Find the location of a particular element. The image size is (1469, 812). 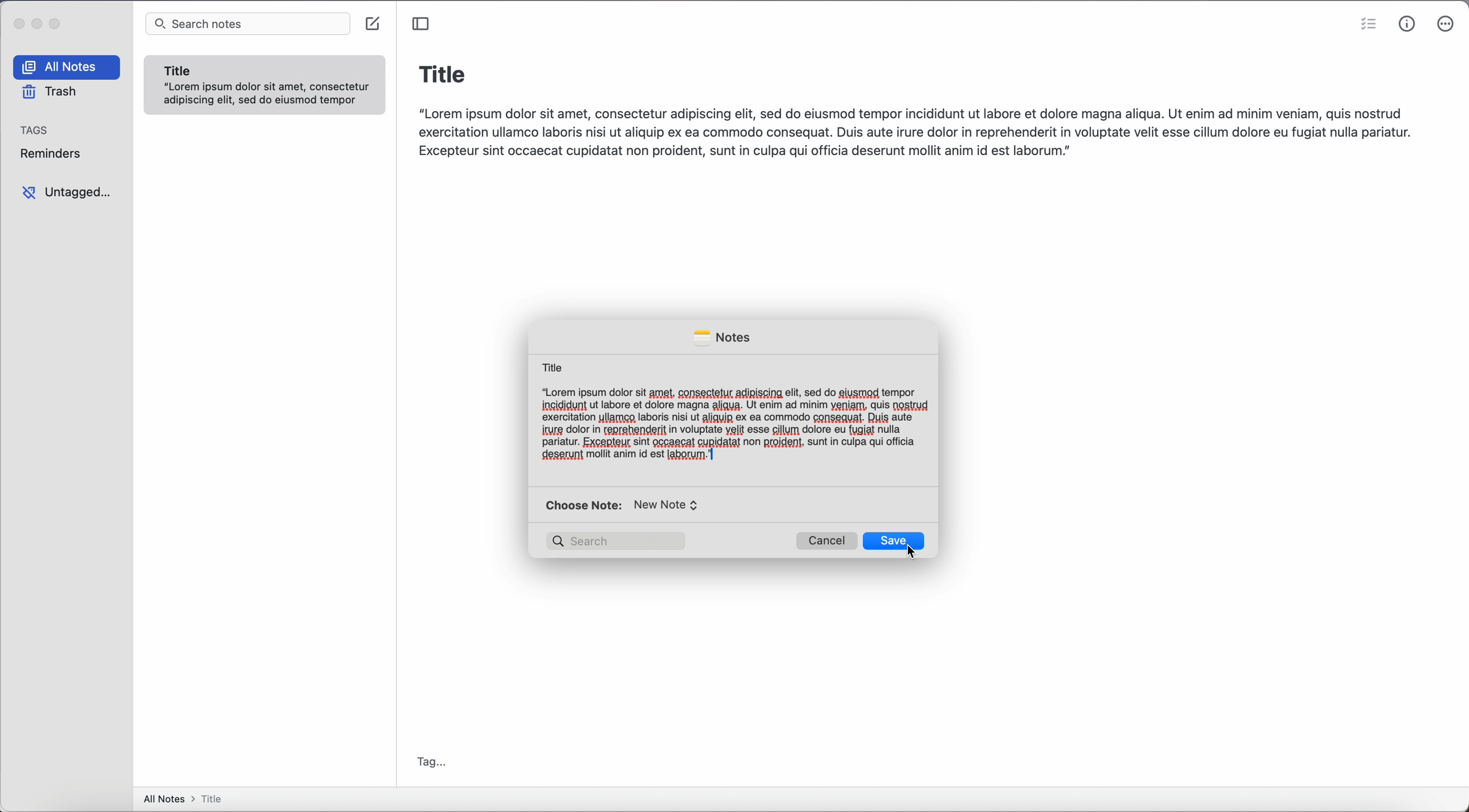

tag... is located at coordinates (433, 761).